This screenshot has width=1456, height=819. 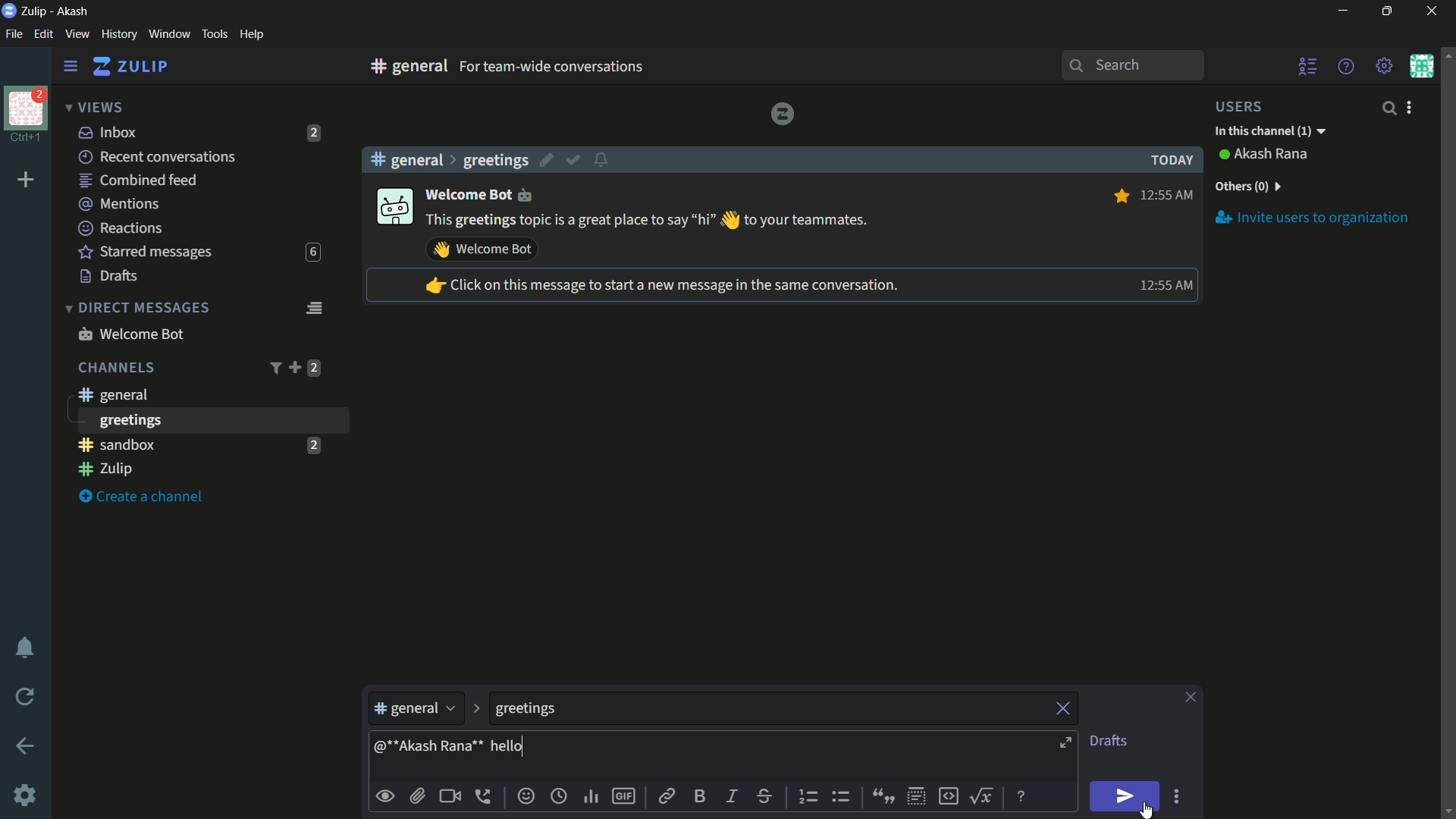 What do you see at coordinates (495, 160) in the screenshot?
I see `greetings` at bounding box center [495, 160].